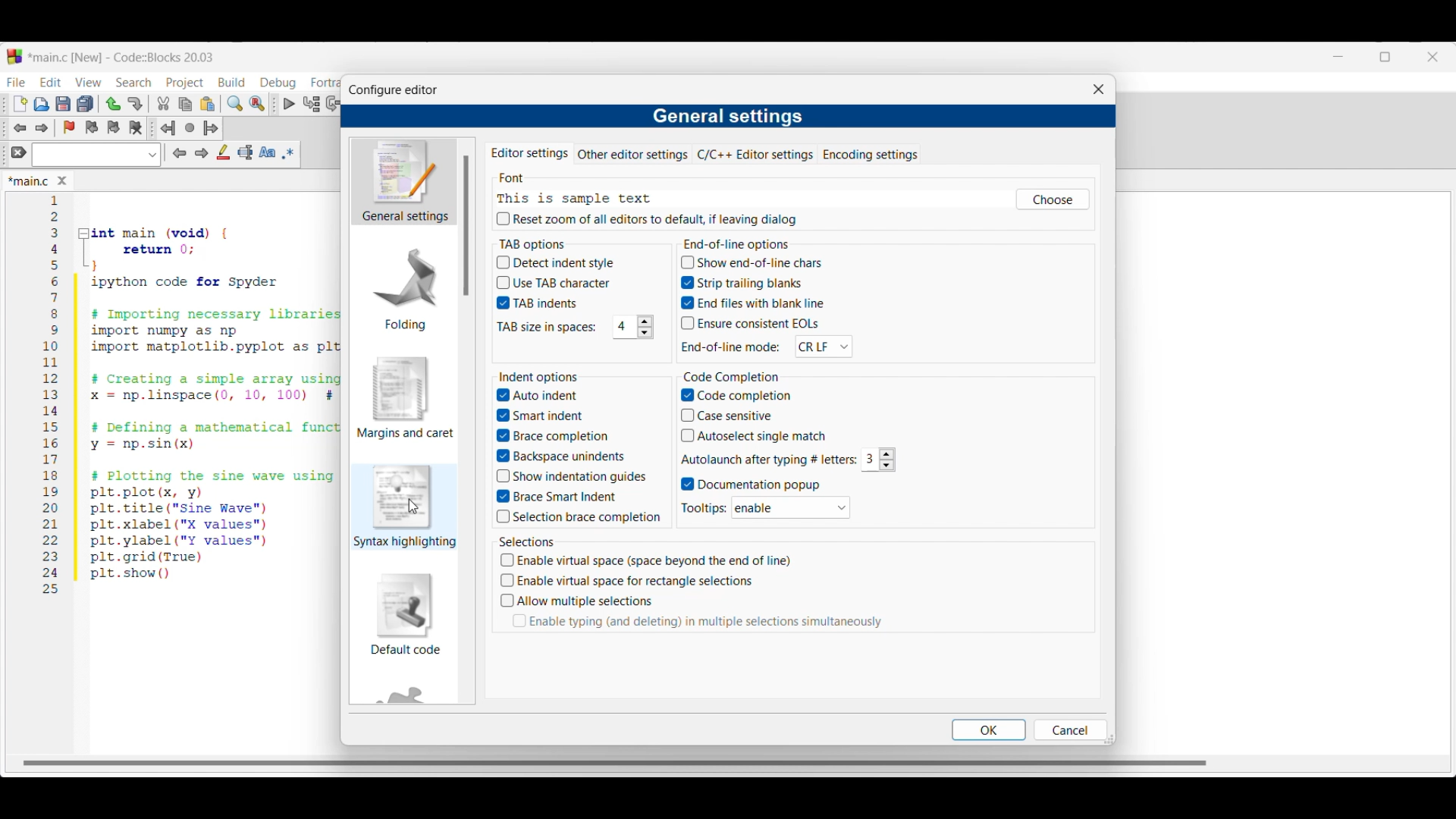 This screenshot has height=819, width=1456. What do you see at coordinates (556, 262) in the screenshot?
I see `Detect indent style` at bounding box center [556, 262].